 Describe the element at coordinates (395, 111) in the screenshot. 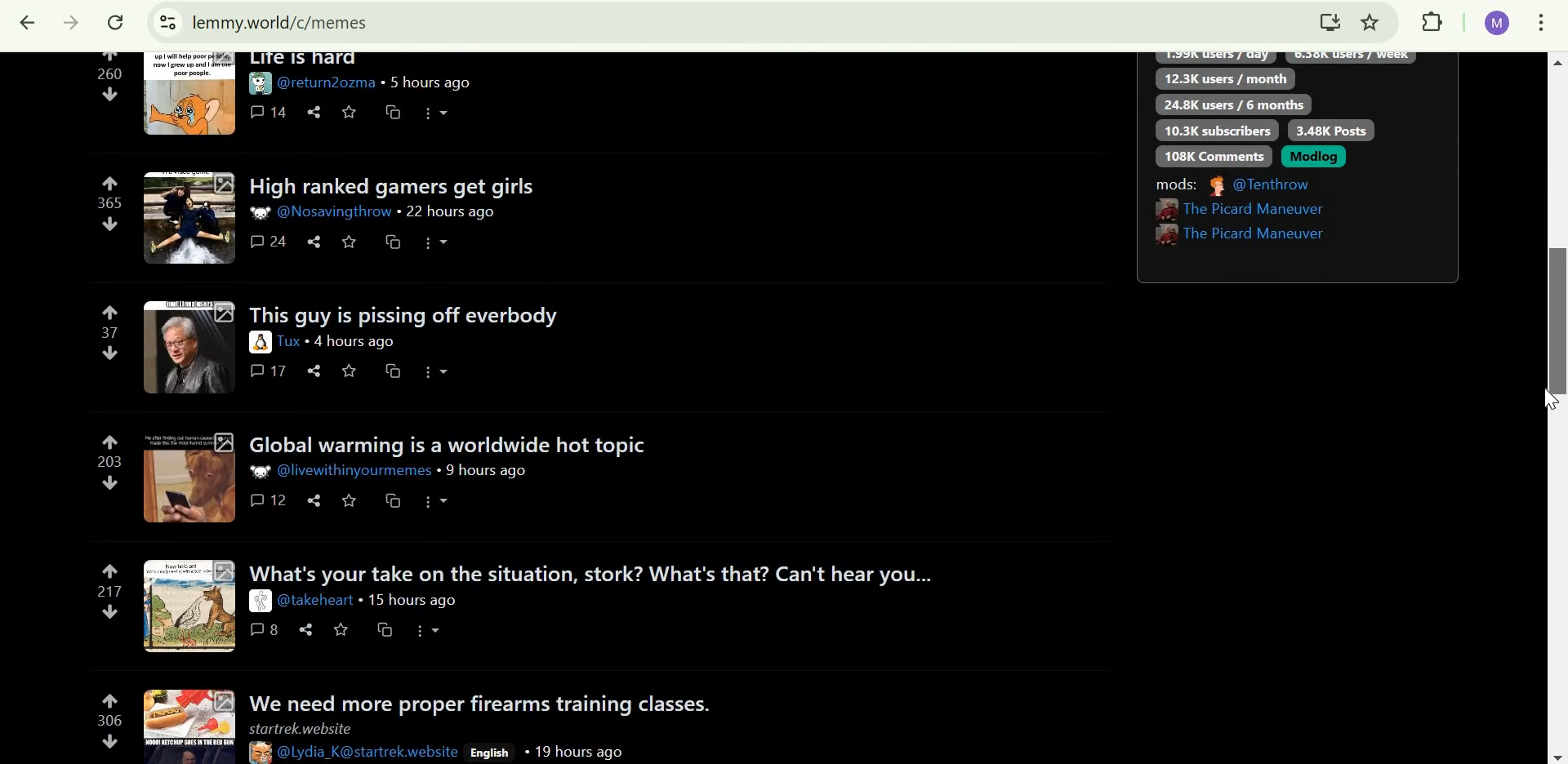

I see `cross-post` at that location.